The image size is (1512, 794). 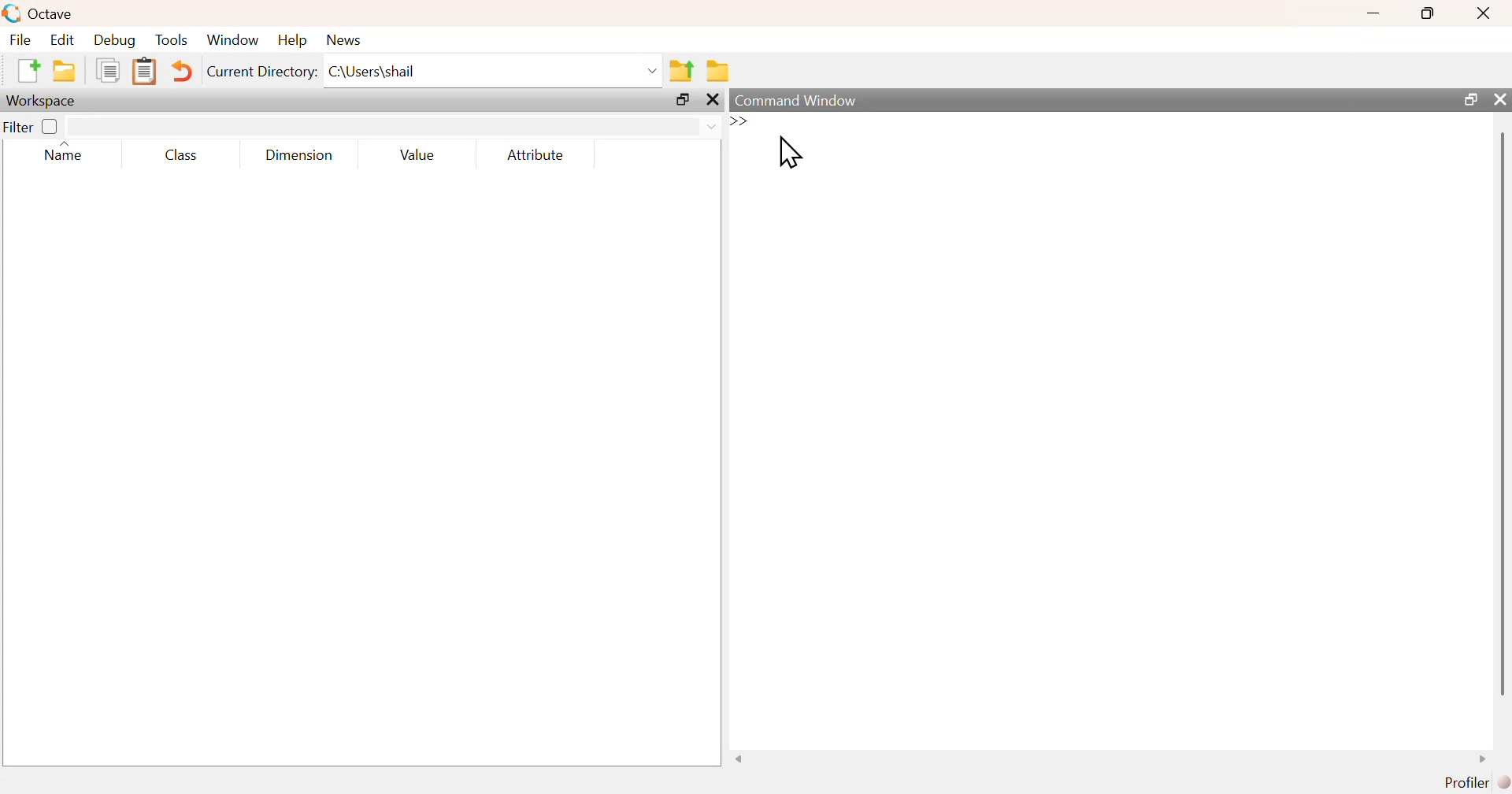 What do you see at coordinates (375, 72) in the screenshot?
I see `C:\Users\shail` at bounding box center [375, 72].